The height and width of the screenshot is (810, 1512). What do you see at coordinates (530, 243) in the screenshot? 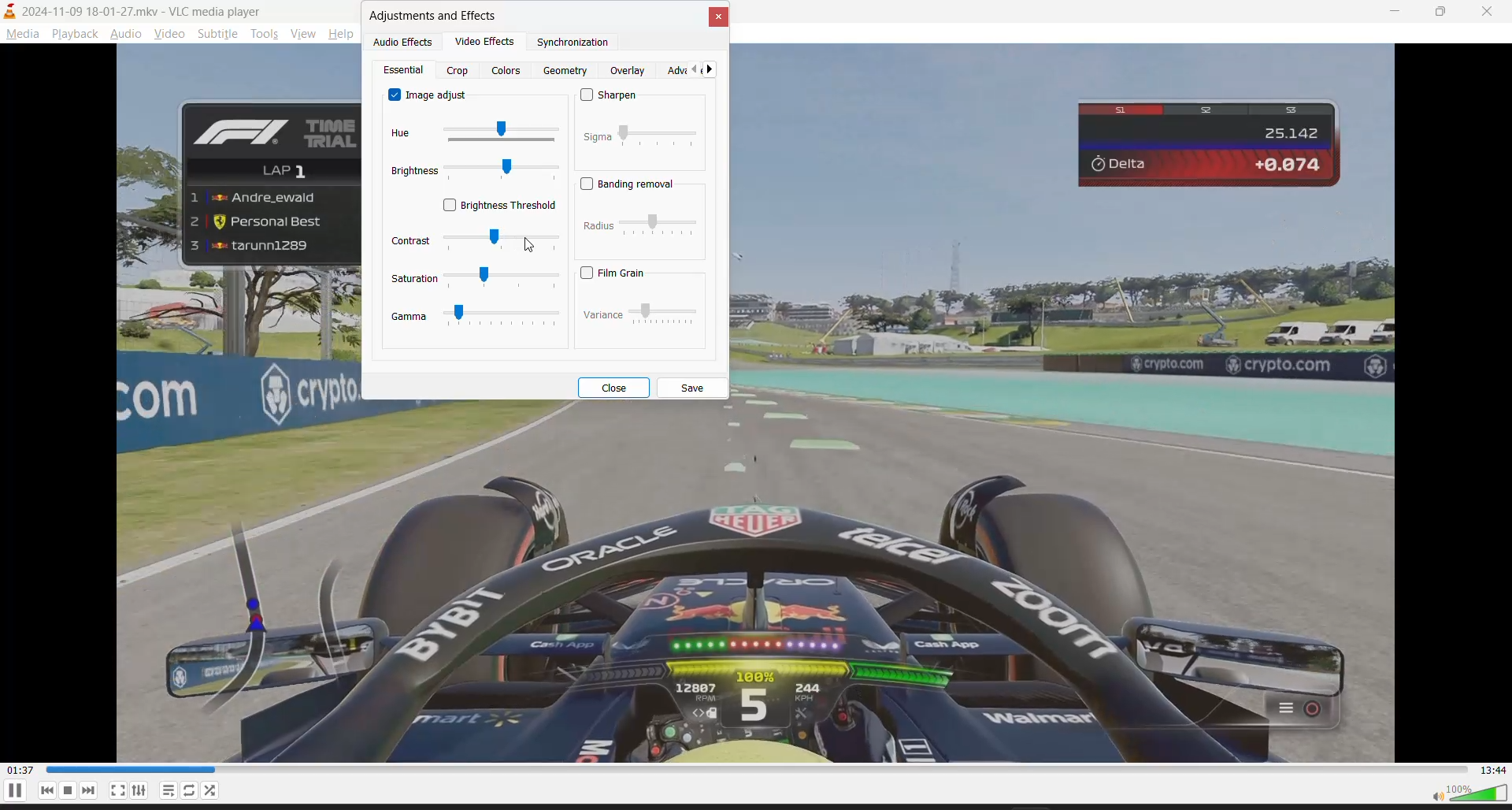
I see `Cursor` at bounding box center [530, 243].